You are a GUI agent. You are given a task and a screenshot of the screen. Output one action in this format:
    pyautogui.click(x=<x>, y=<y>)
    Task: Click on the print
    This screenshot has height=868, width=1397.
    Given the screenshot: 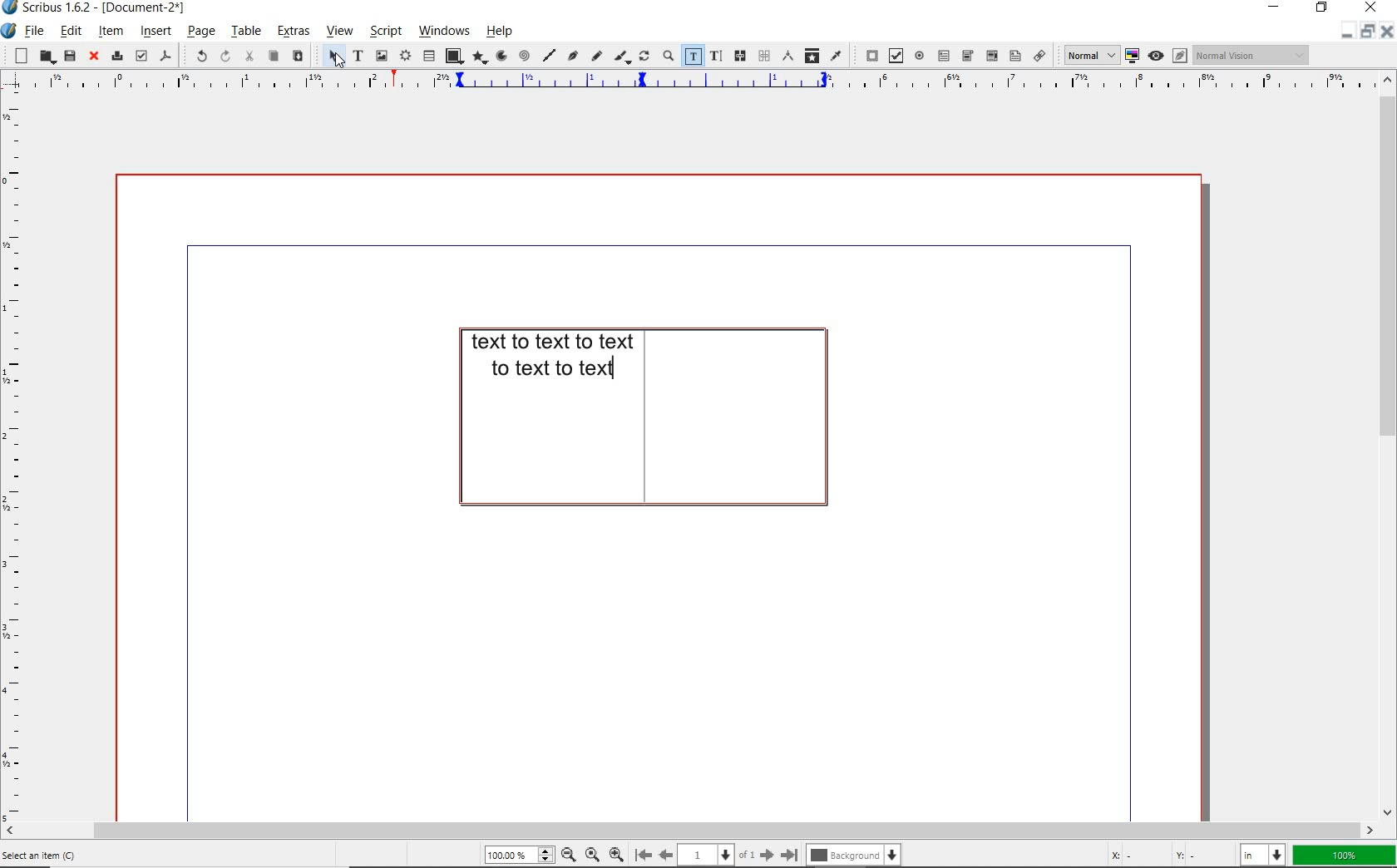 What is the action you would take?
    pyautogui.click(x=116, y=57)
    